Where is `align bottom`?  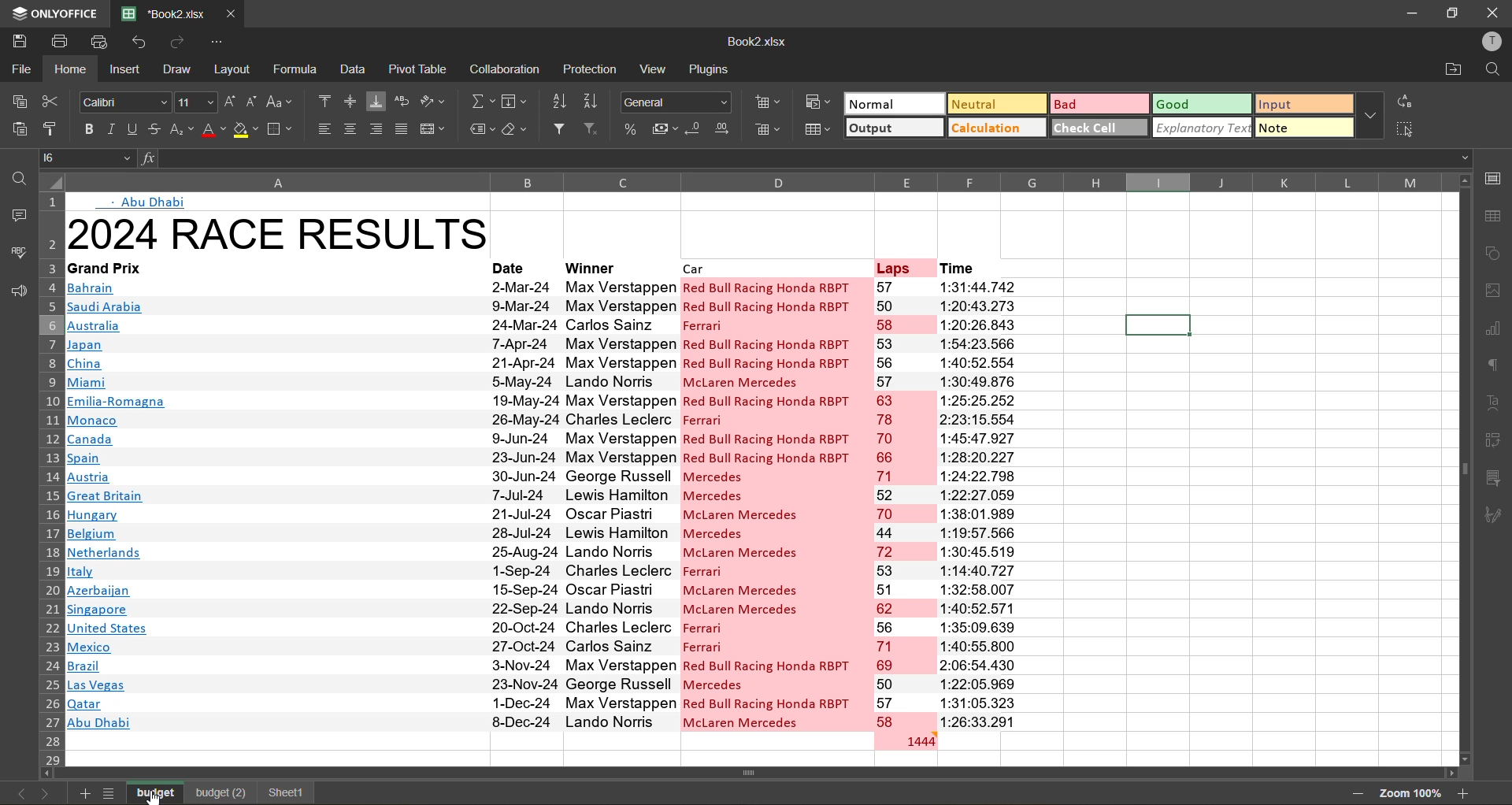
align bottom is located at coordinates (376, 100).